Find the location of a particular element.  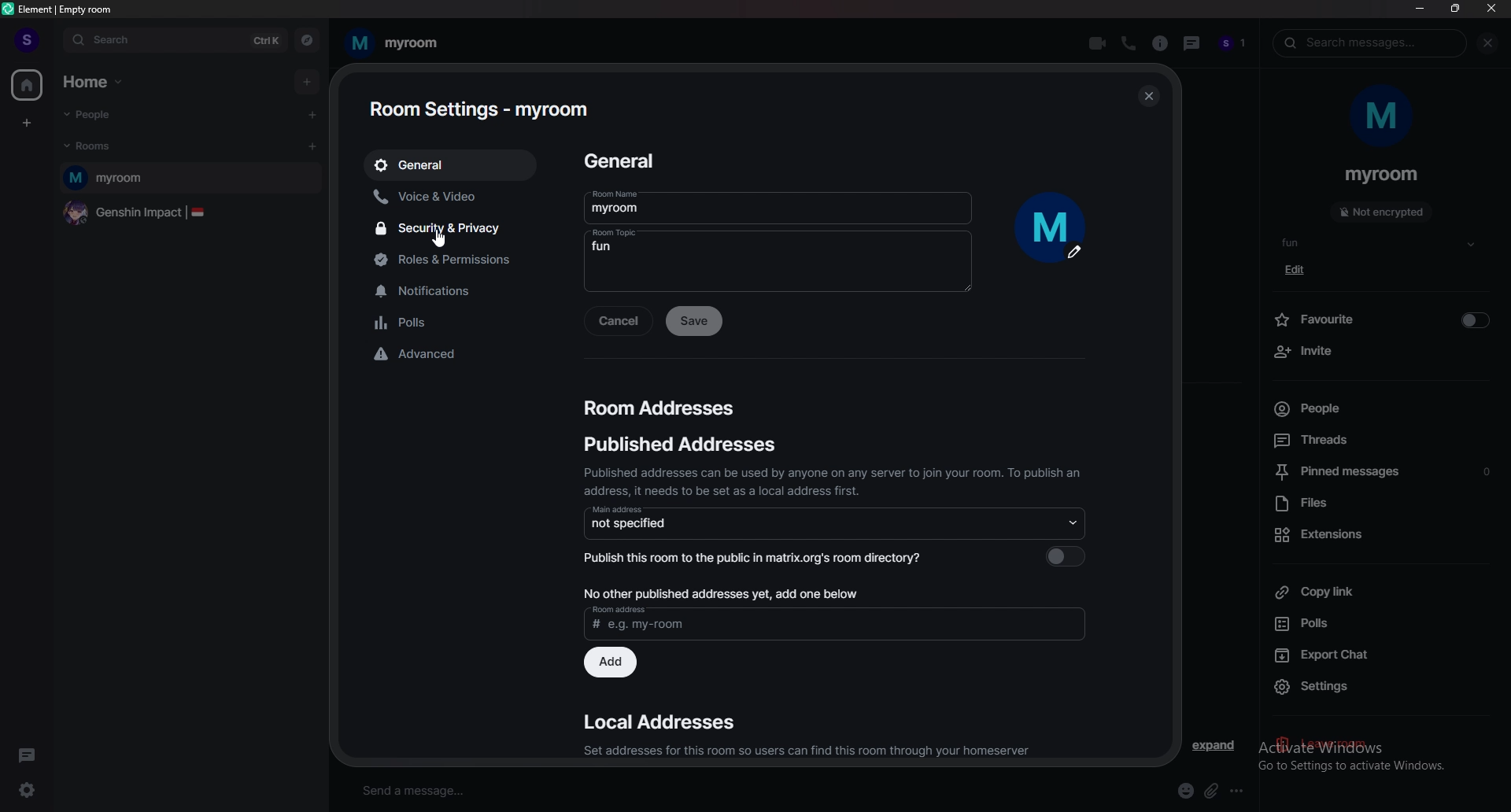

favourite is located at coordinates (1384, 319).